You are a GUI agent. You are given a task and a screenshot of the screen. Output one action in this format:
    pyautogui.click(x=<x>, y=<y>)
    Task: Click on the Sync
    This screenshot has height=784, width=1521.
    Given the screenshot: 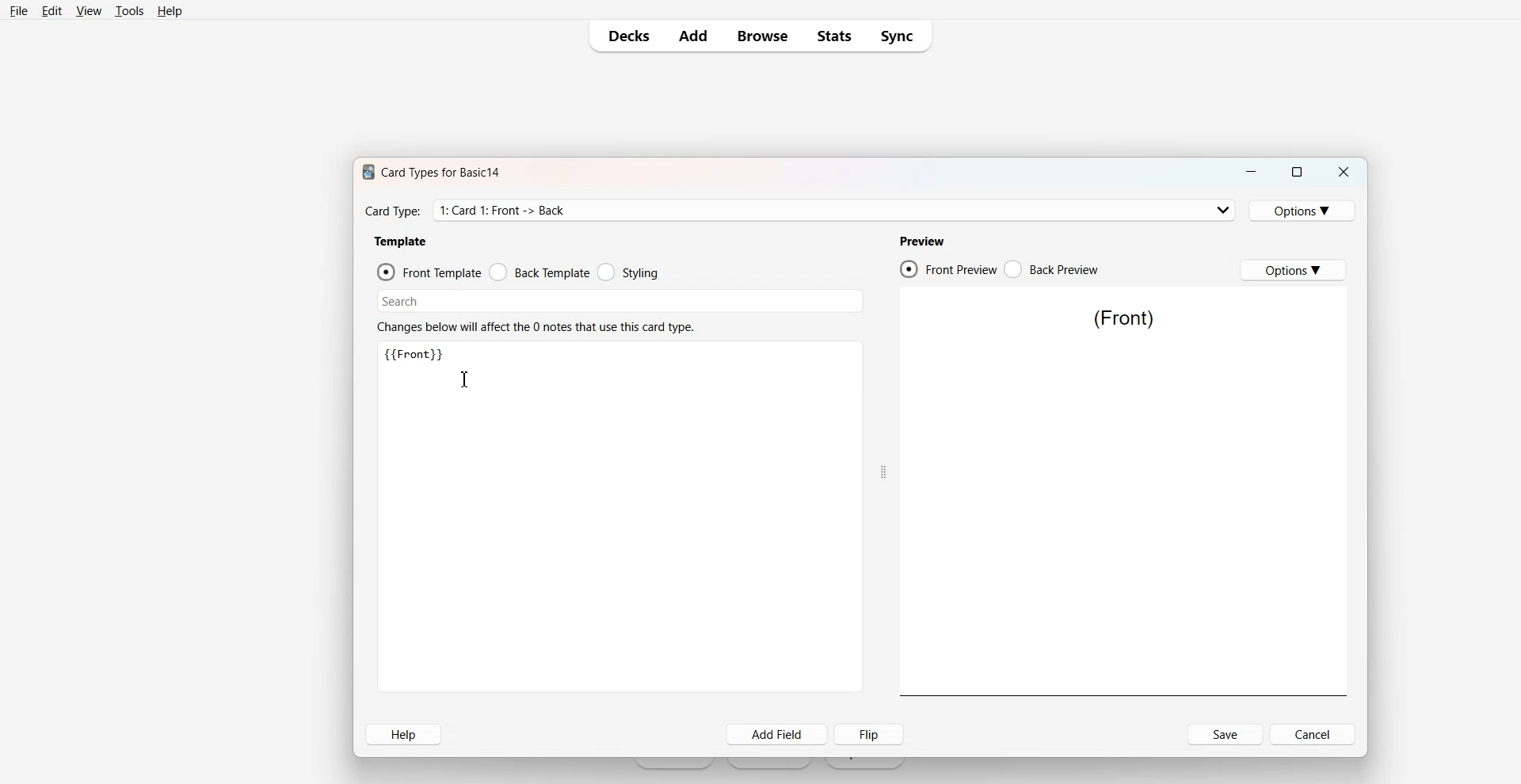 What is the action you would take?
    pyautogui.click(x=900, y=36)
    